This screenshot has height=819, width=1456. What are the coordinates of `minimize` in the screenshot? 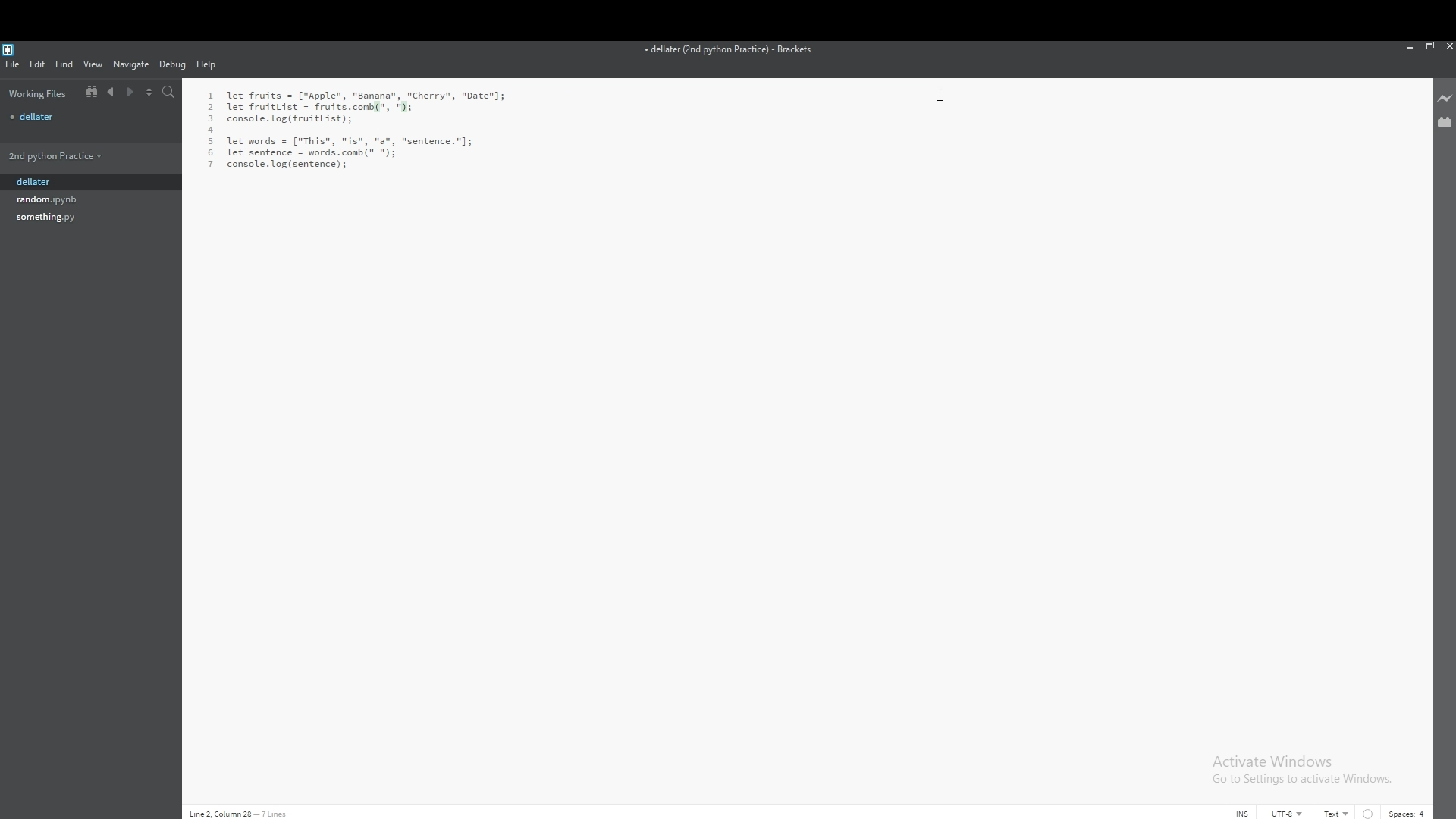 It's located at (1410, 46).